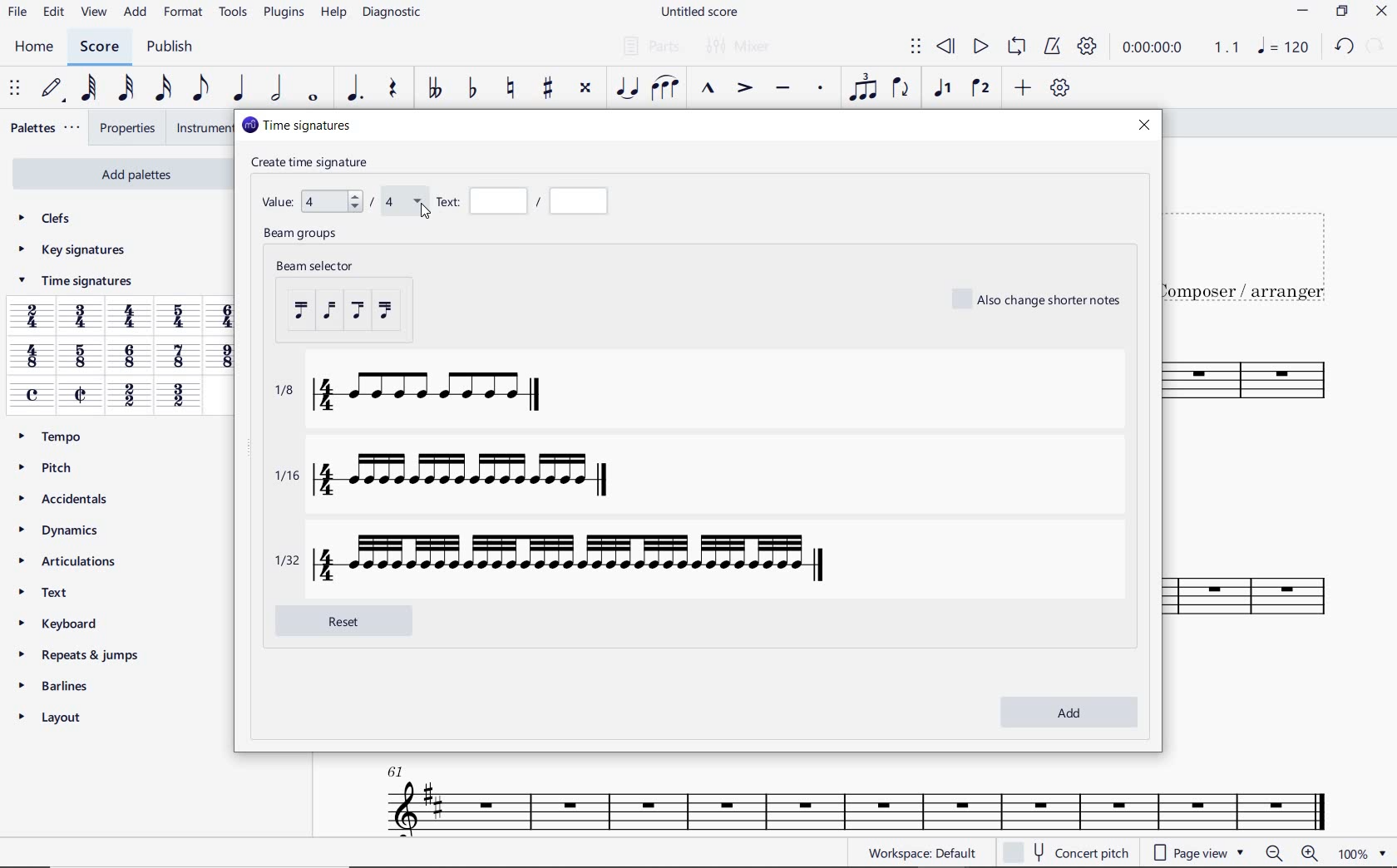  What do you see at coordinates (1290, 852) in the screenshot?
I see `ZOOM OUT OR ZOOM IN` at bounding box center [1290, 852].